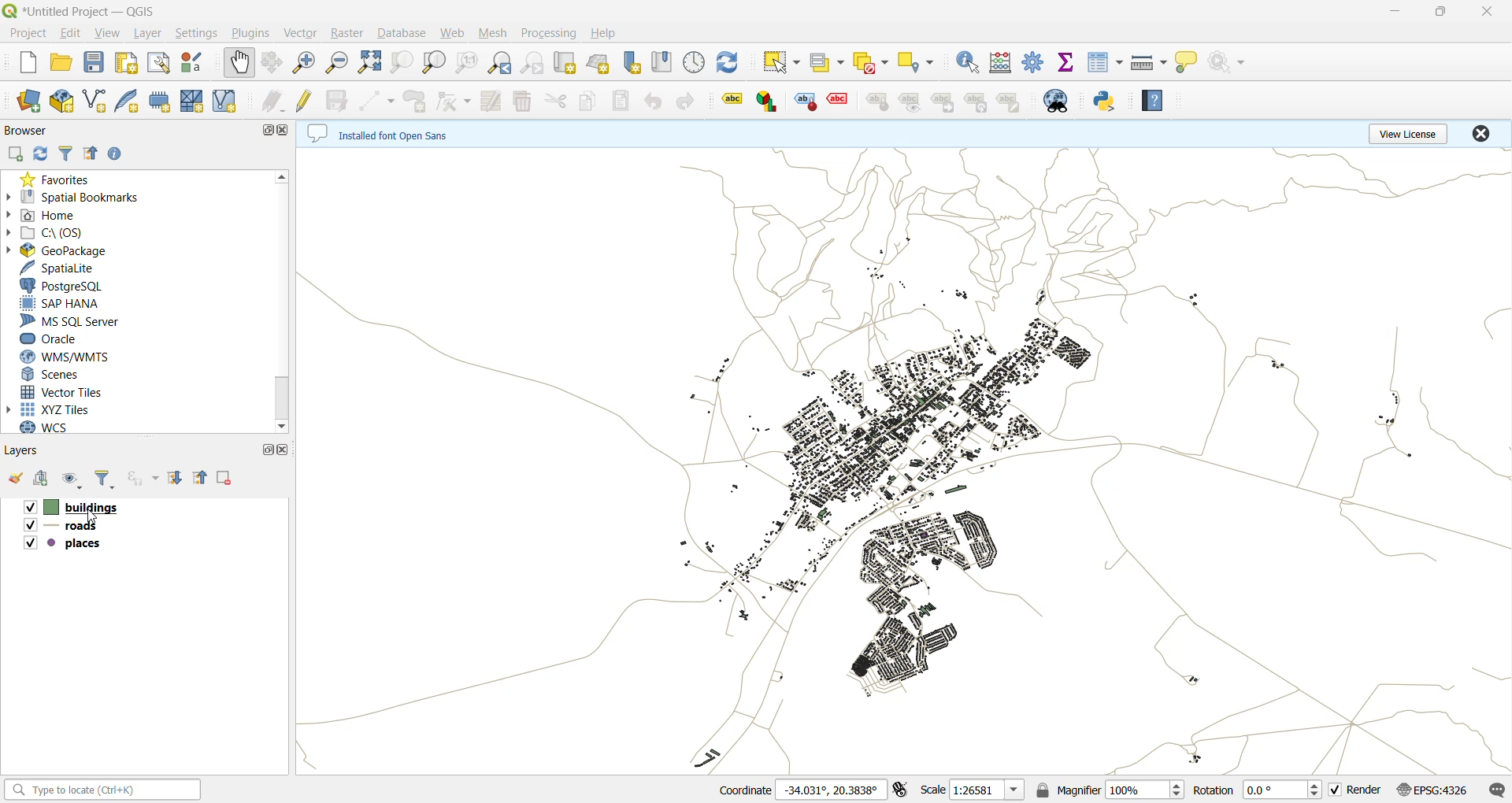  What do you see at coordinates (1233, 62) in the screenshot?
I see `no action` at bounding box center [1233, 62].